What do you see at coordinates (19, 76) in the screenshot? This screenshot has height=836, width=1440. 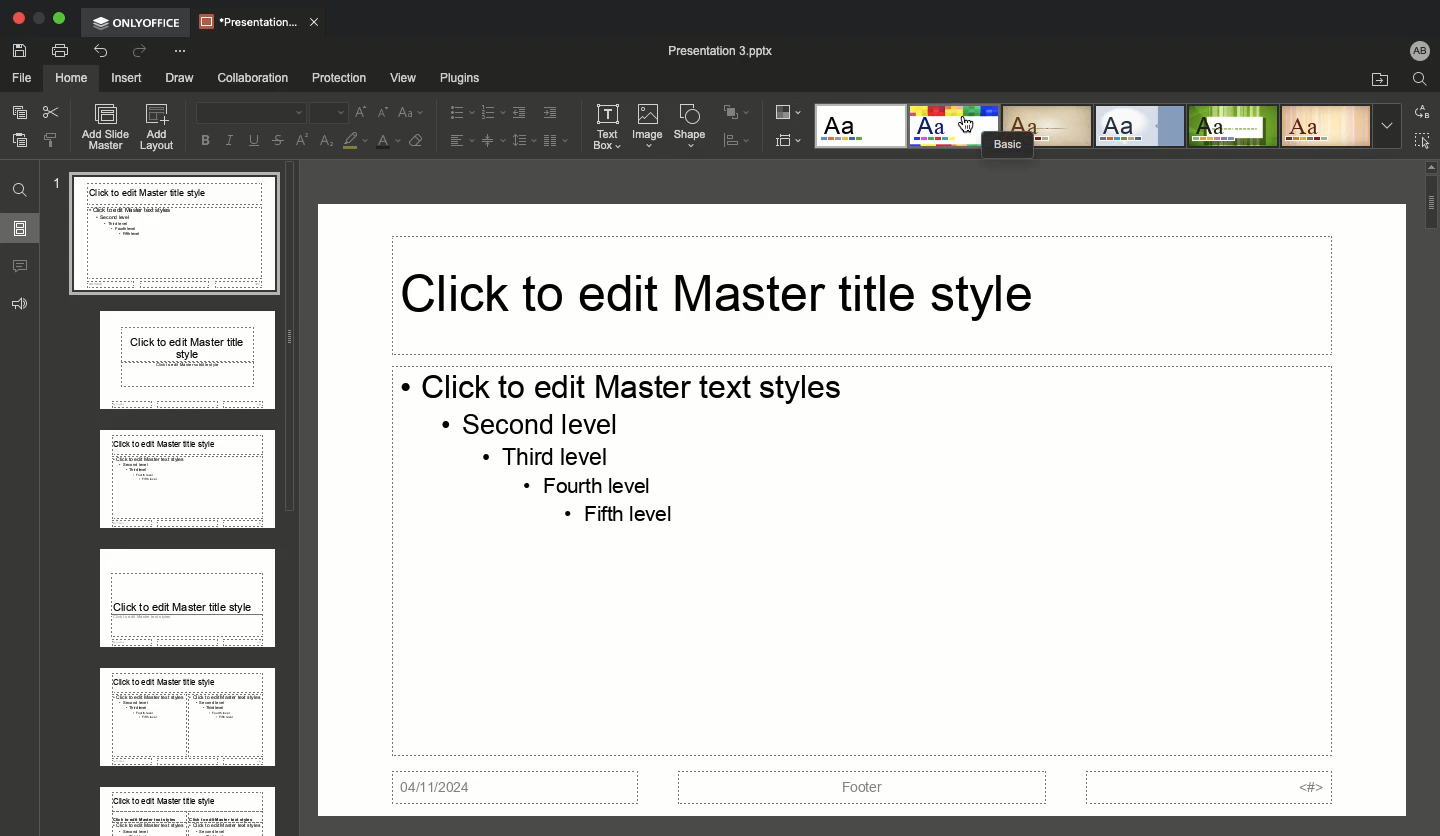 I see `File` at bounding box center [19, 76].